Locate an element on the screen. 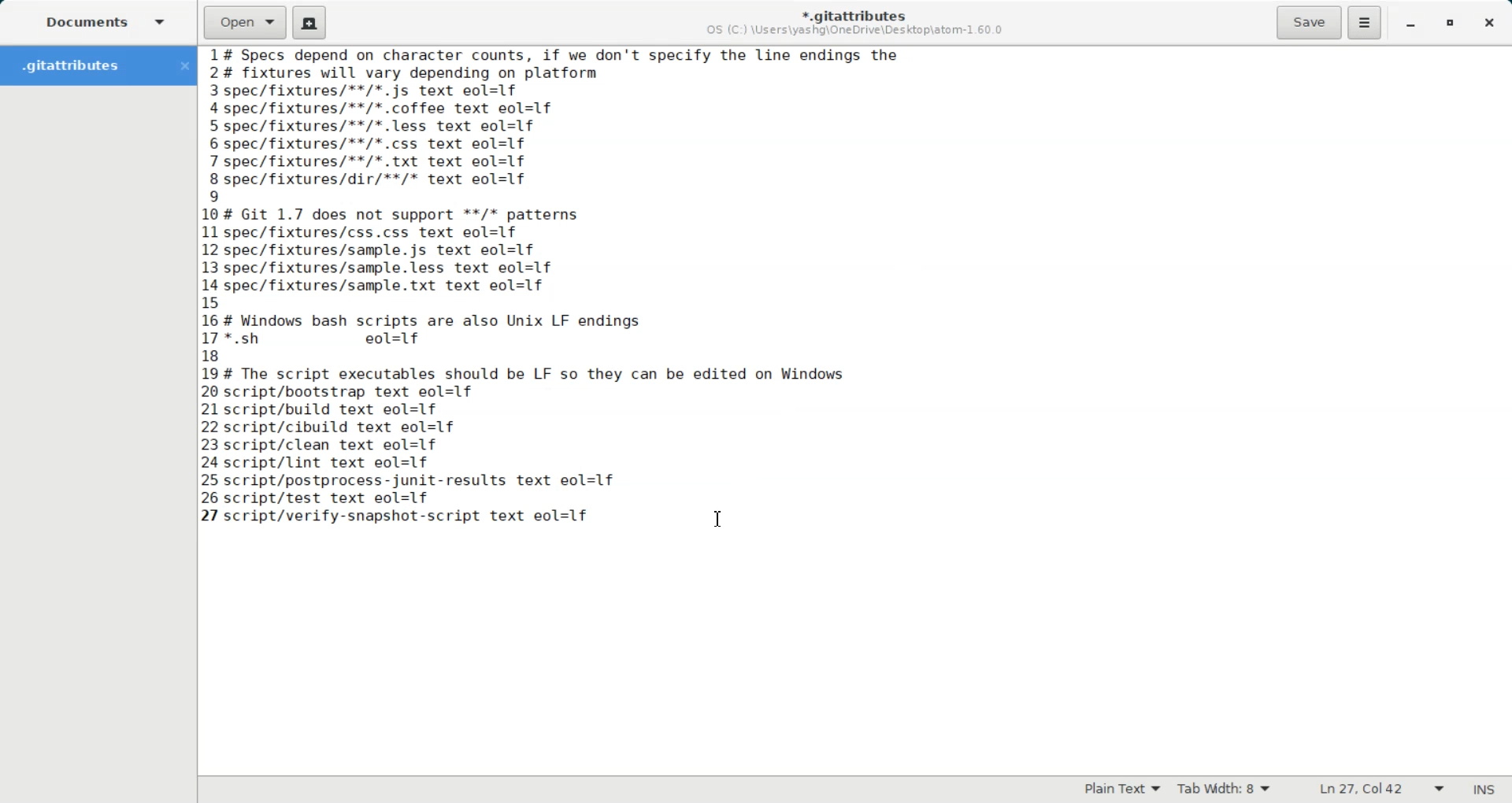 This screenshot has height=803, width=1512. script/verify-snapshot-script text eol=lf is located at coordinates (413, 516).